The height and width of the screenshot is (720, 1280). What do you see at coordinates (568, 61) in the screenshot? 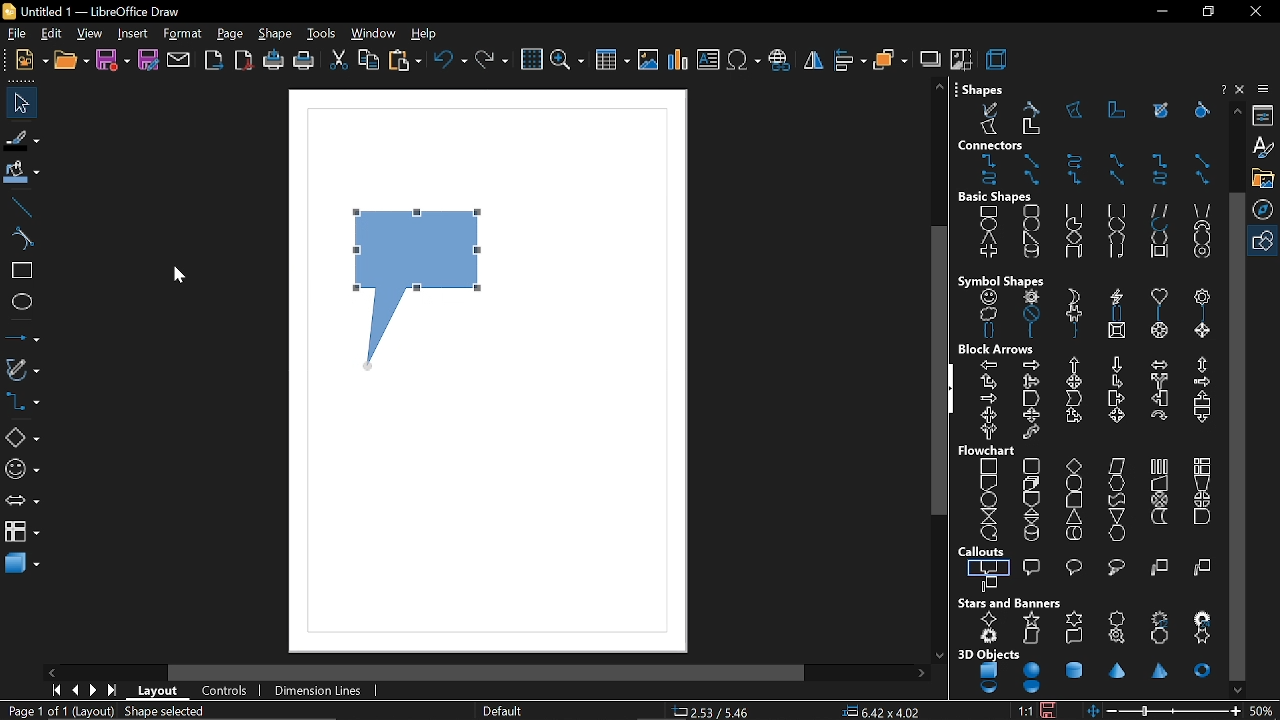
I see `zoom` at bounding box center [568, 61].